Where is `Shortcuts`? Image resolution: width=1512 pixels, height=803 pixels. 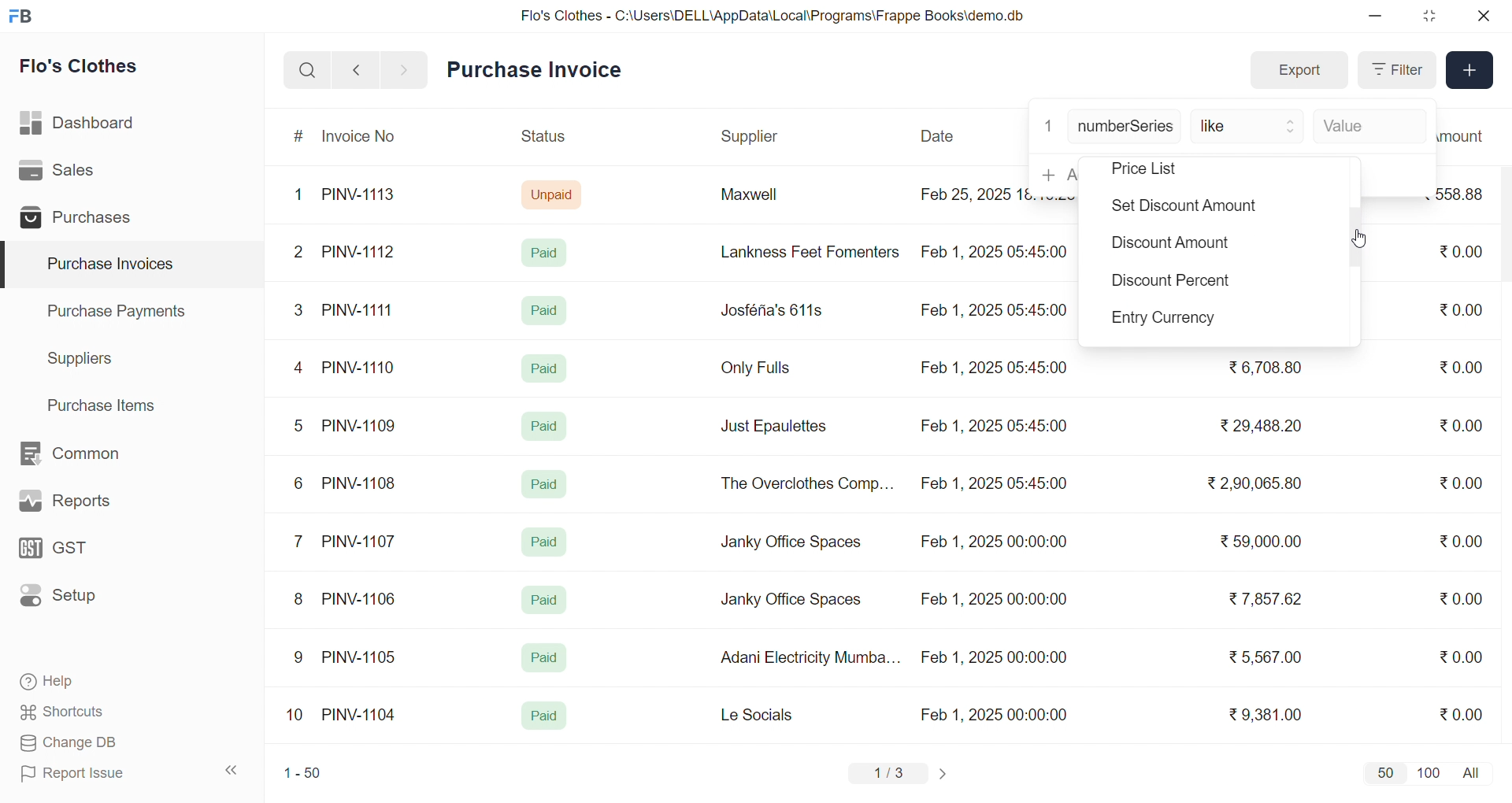 Shortcuts is located at coordinates (99, 712).